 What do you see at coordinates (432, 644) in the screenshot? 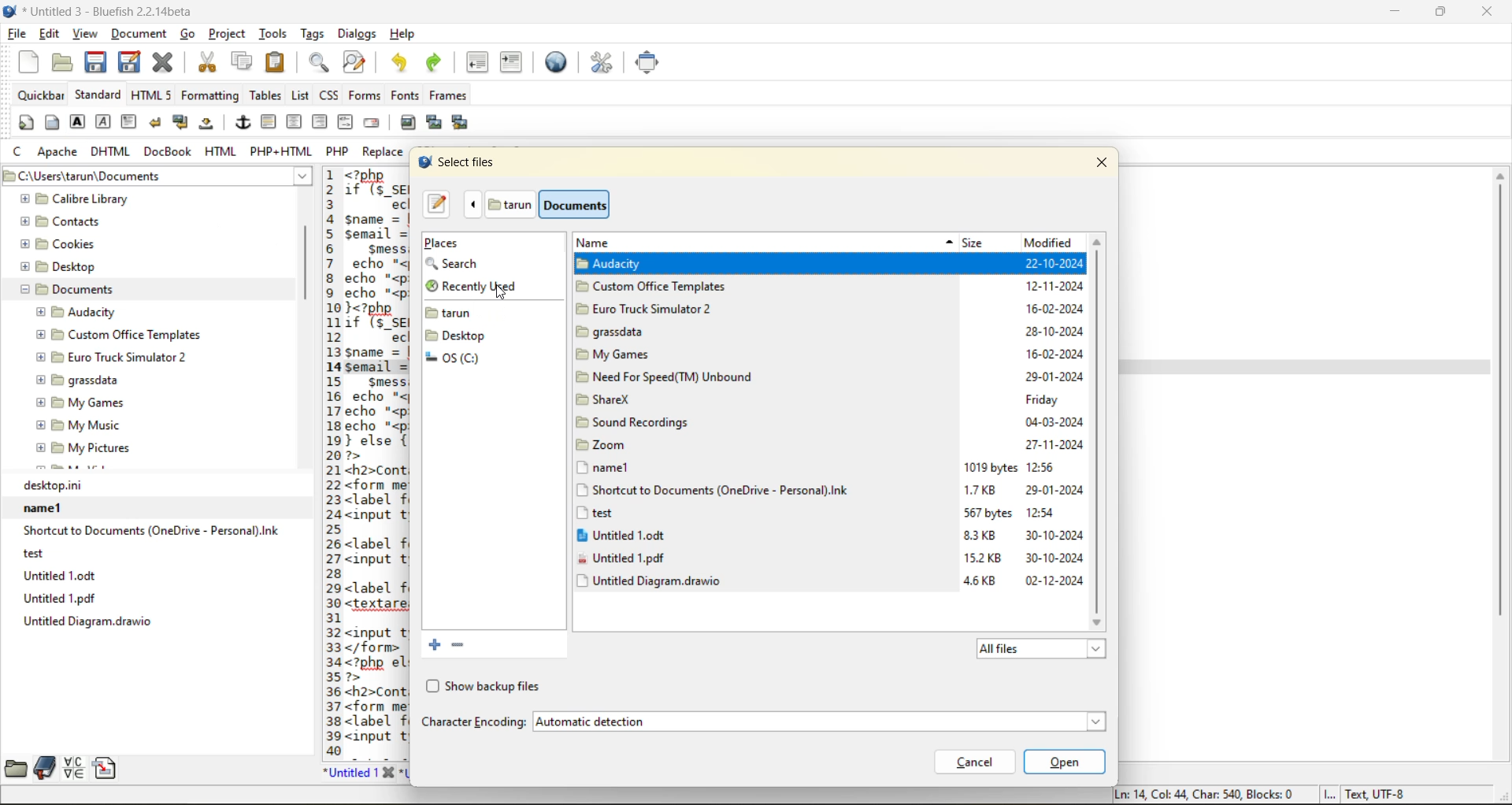
I see `add current folder to bookmark` at bounding box center [432, 644].